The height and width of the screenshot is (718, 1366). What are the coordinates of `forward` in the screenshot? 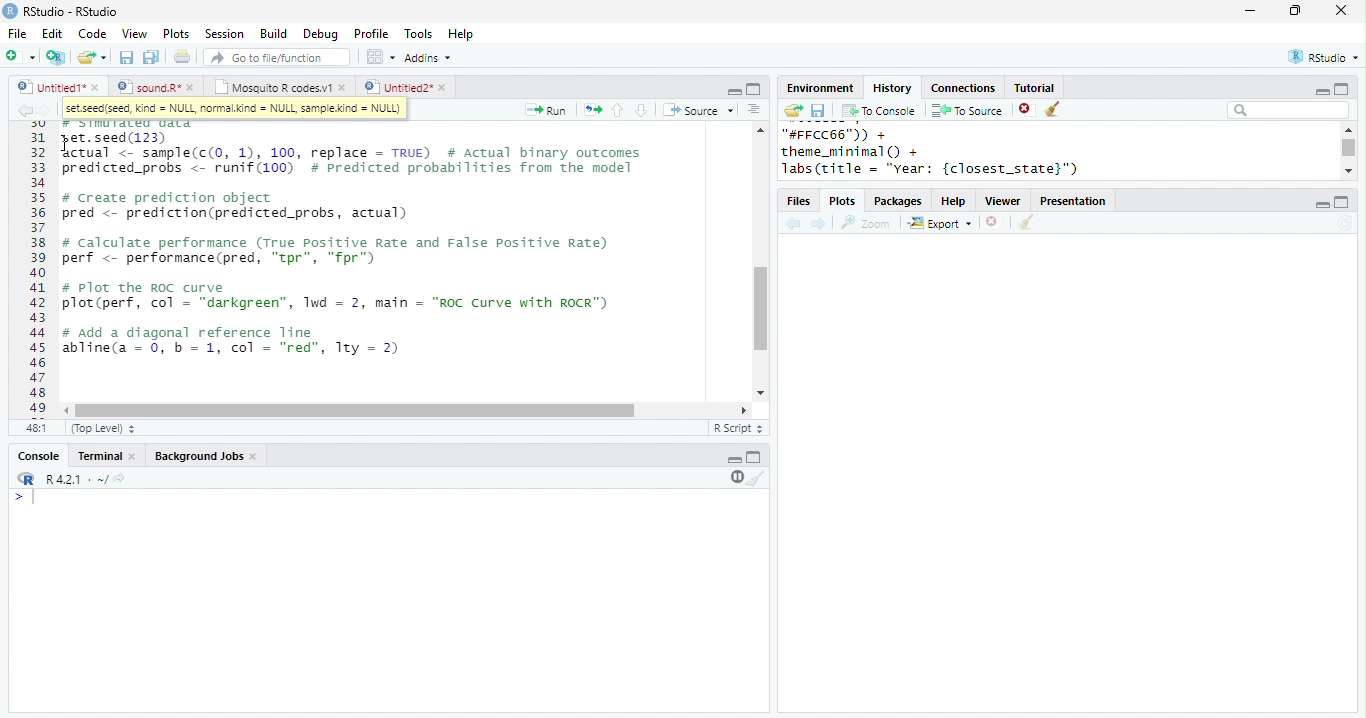 It's located at (44, 110).